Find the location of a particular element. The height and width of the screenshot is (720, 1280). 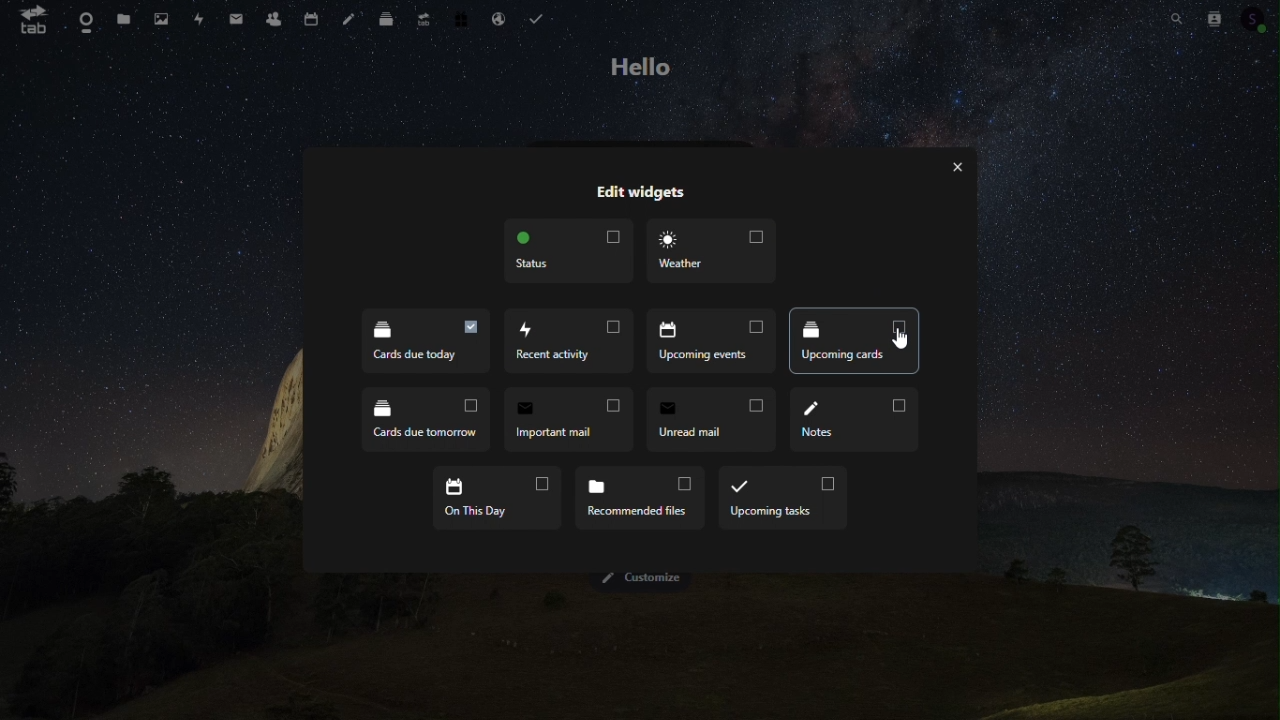

Task is located at coordinates (535, 17).